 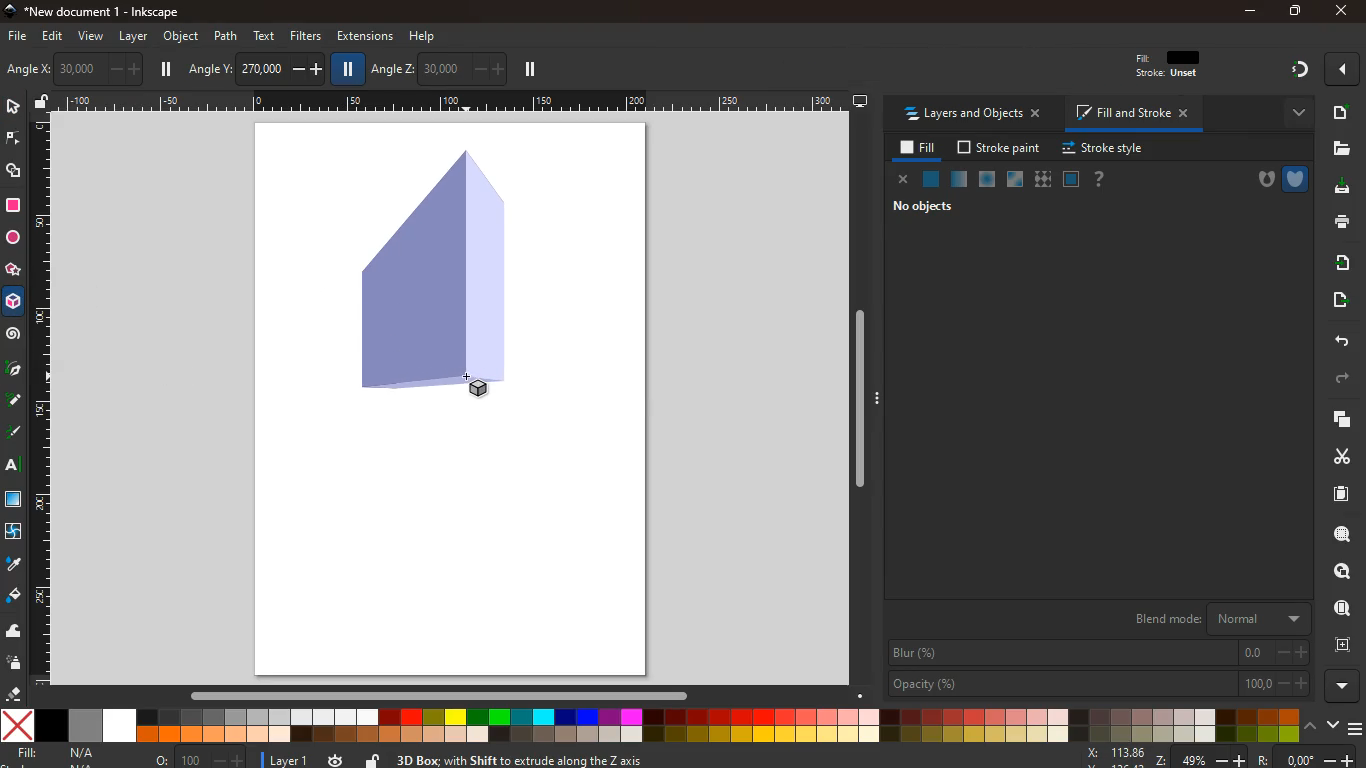 I want to click on screen, so click(x=16, y=502).